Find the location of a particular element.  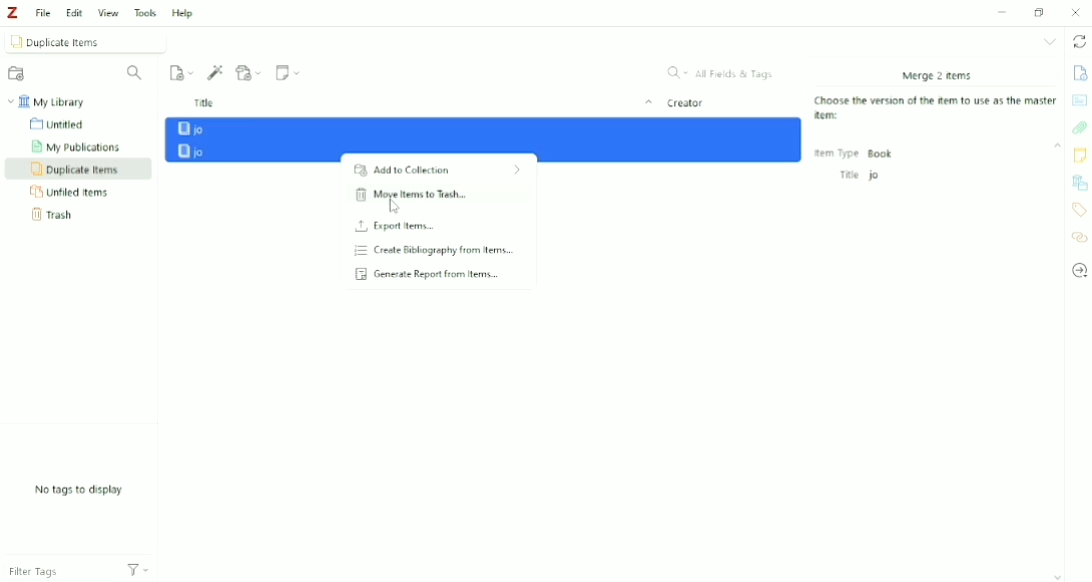

Item Type Book is located at coordinates (855, 153).